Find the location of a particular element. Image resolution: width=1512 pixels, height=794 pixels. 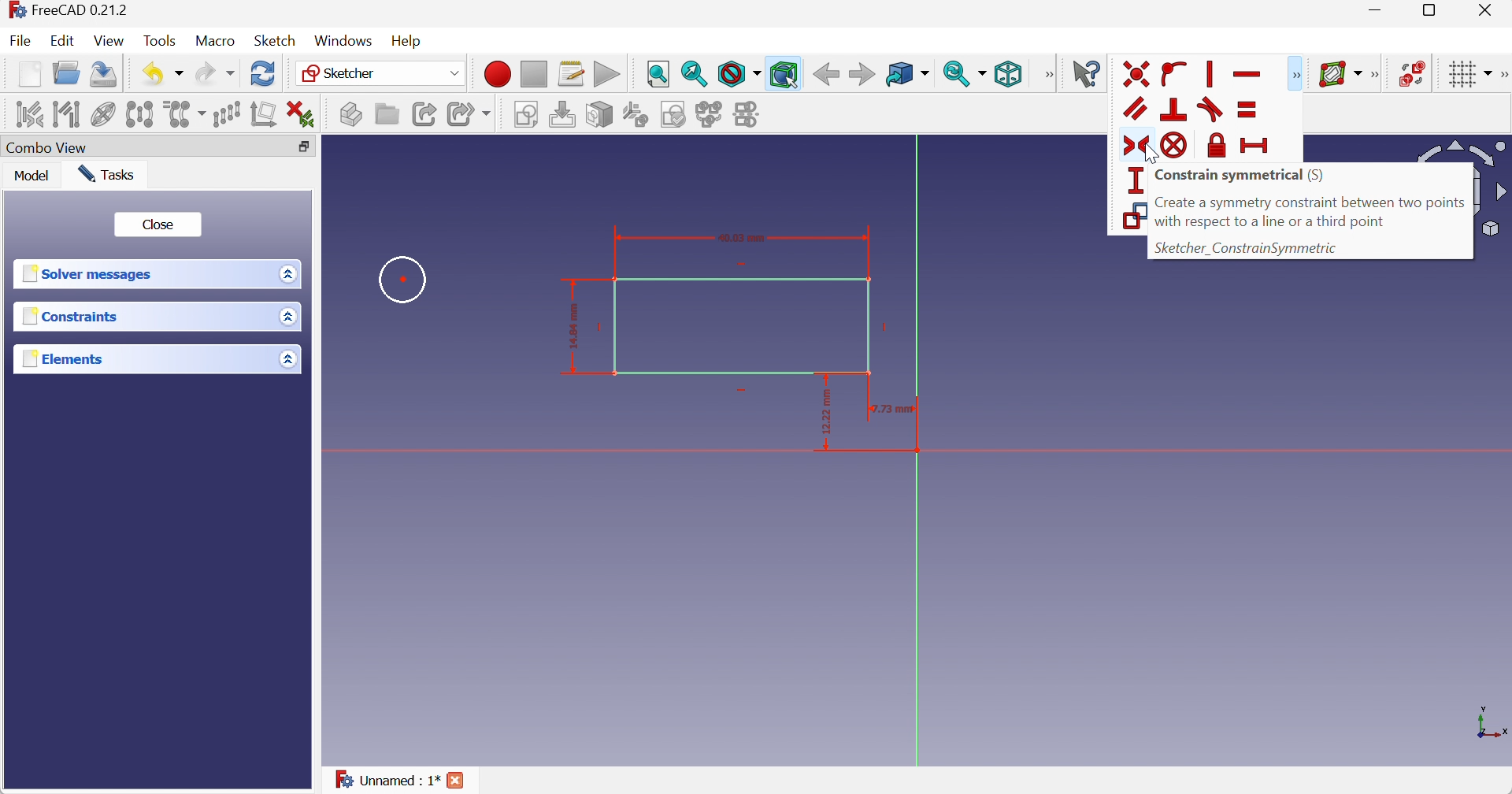

Circle is located at coordinates (404, 279).